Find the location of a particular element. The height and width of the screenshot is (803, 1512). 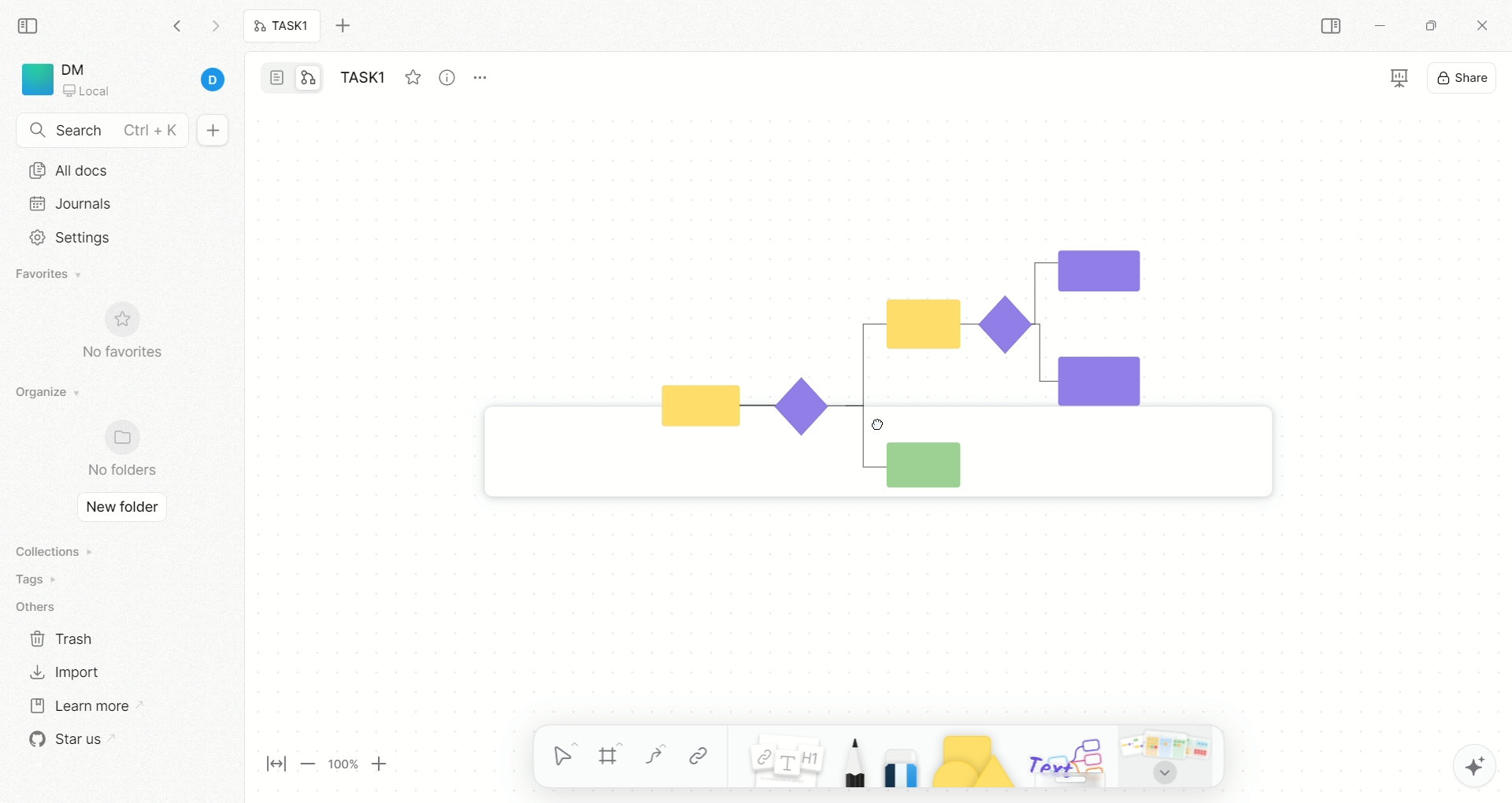

view is located at coordinates (1386, 80).